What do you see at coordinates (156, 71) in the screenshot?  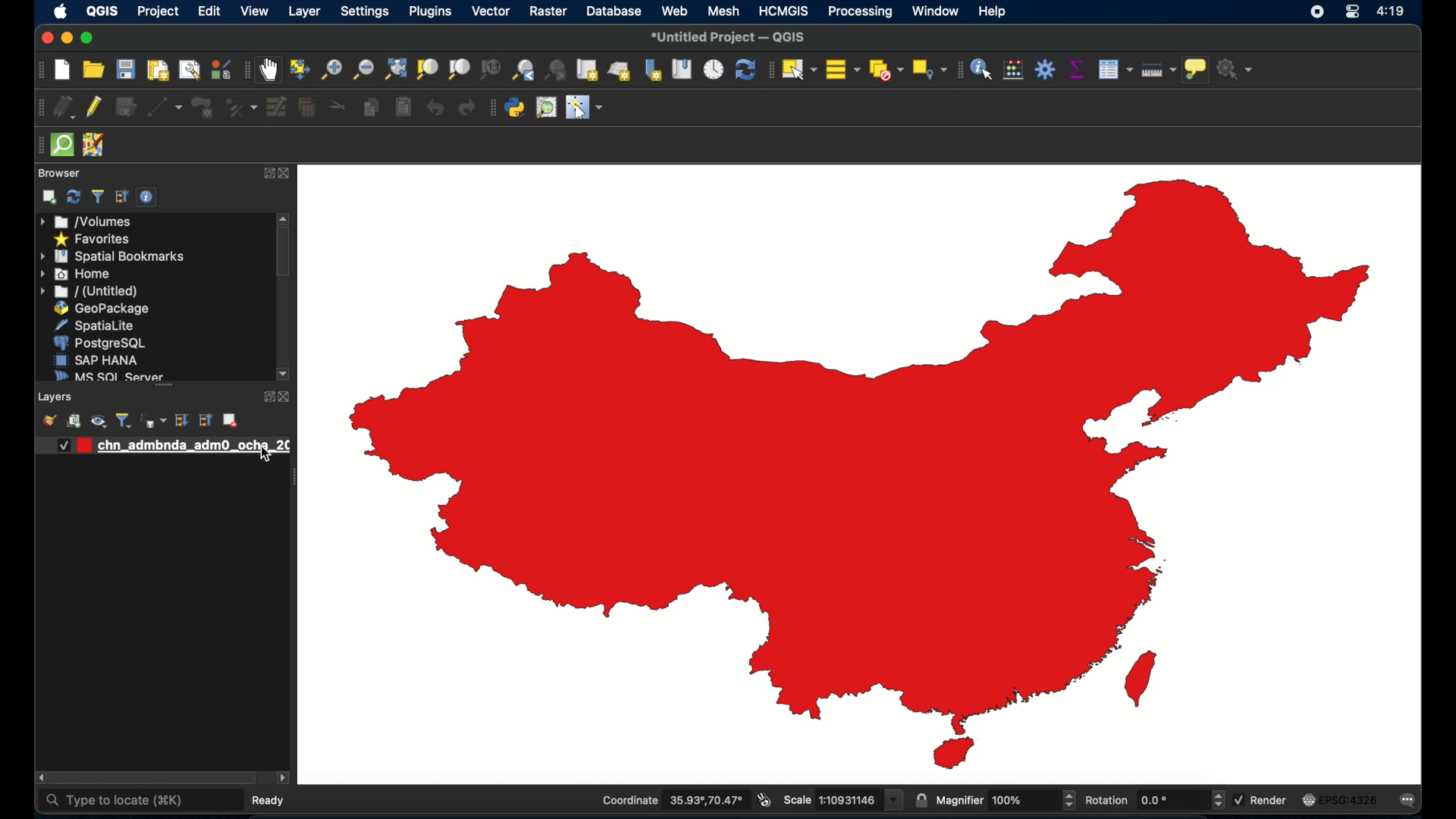 I see `print layout` at bounding box center [156, 71].